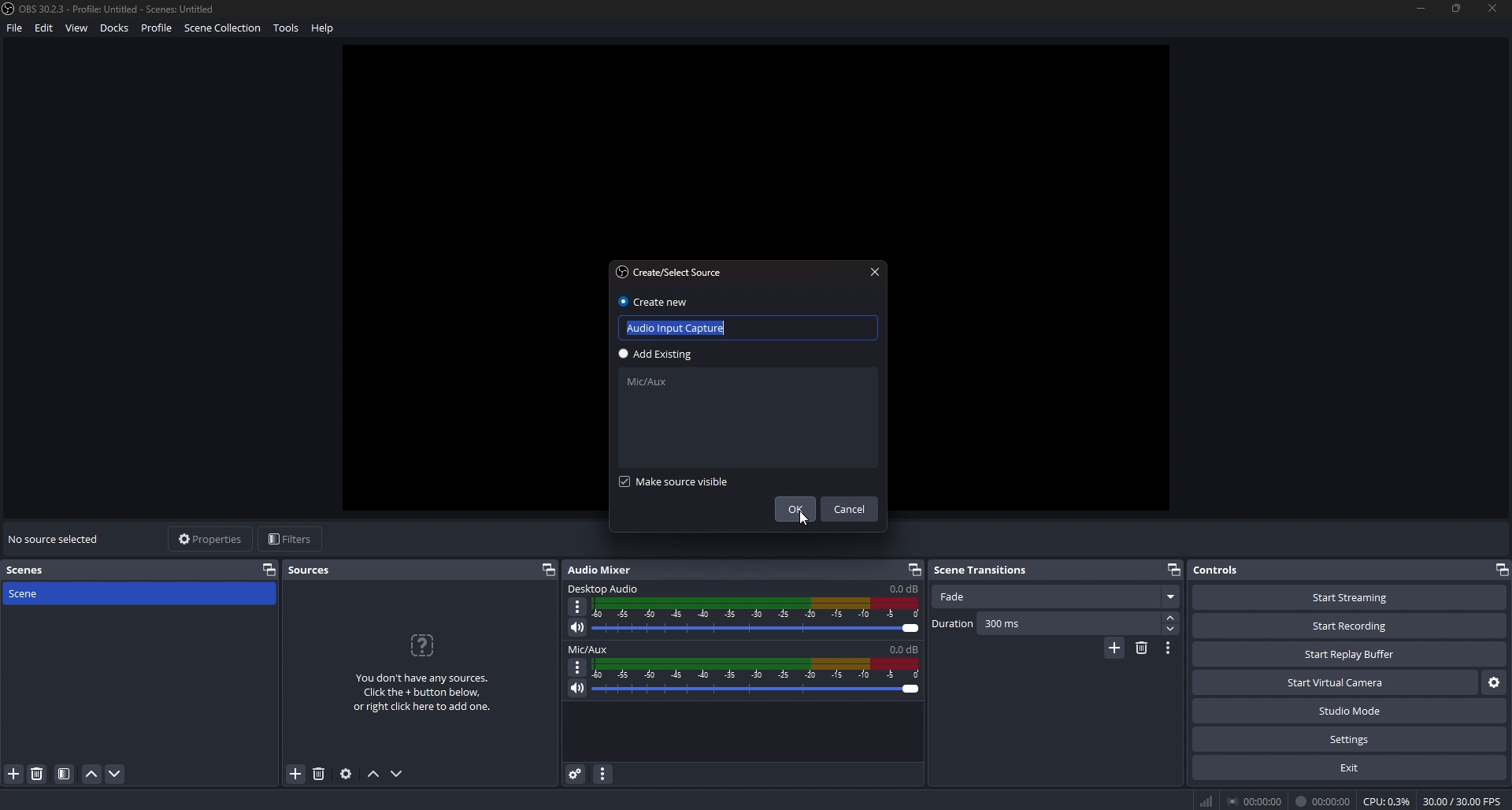  What do you see at coordinates (319, 774) in the screenshot?
I see `remove source` at bounding box center [319, 774].